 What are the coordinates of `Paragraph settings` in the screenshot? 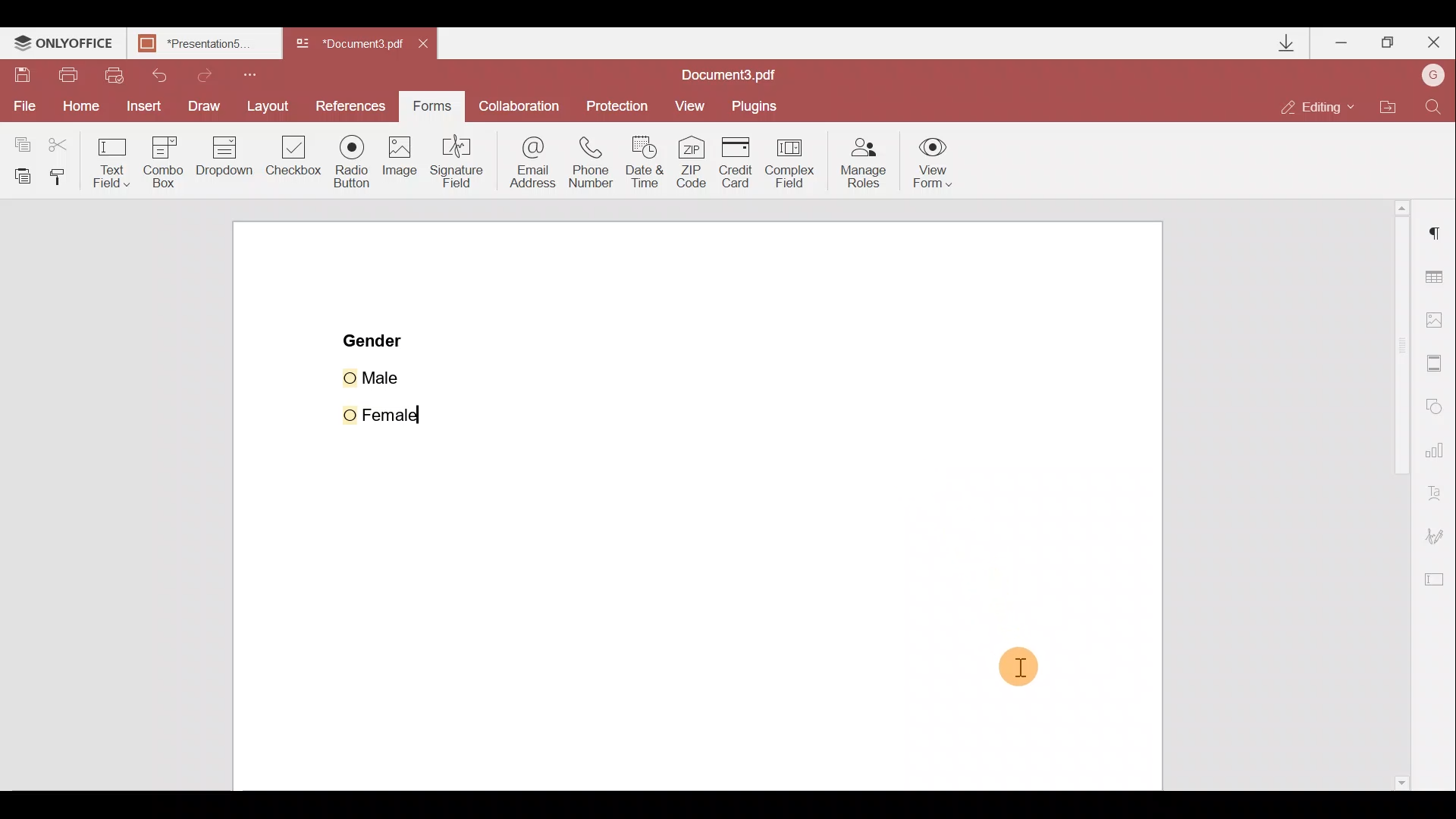 It's located at (1434, 240).